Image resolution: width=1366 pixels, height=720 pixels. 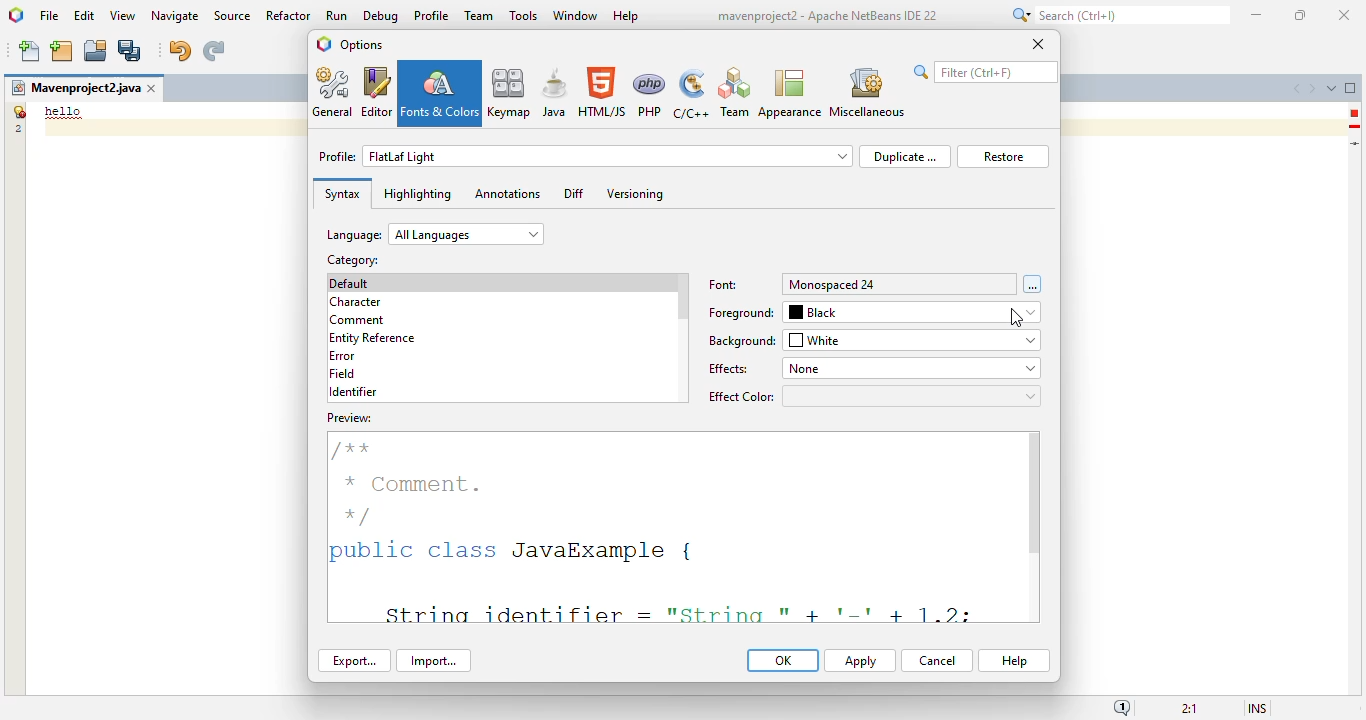 I want to click on hint, so click(x=1355, y=127).